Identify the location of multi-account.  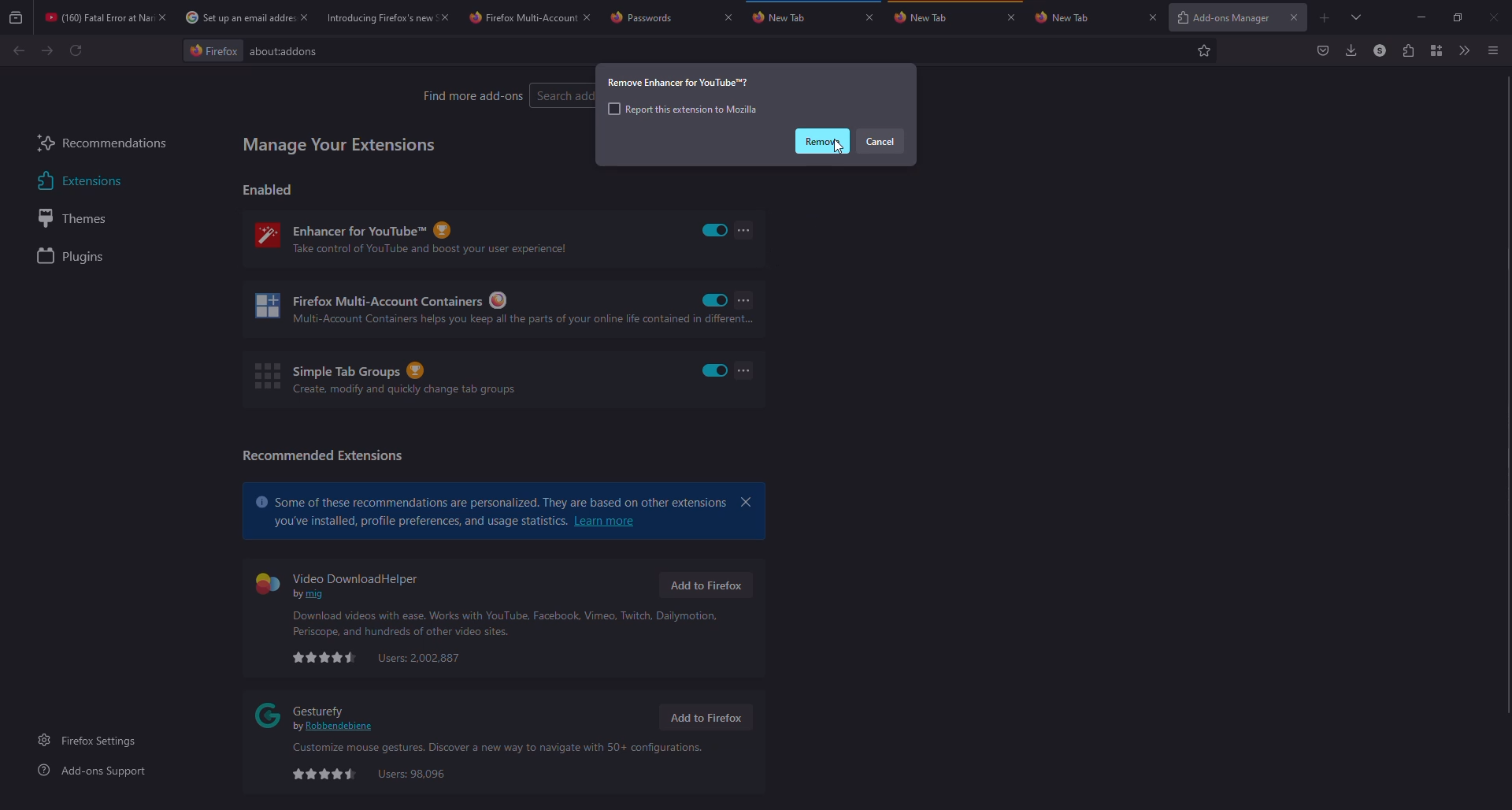
(474, 310).